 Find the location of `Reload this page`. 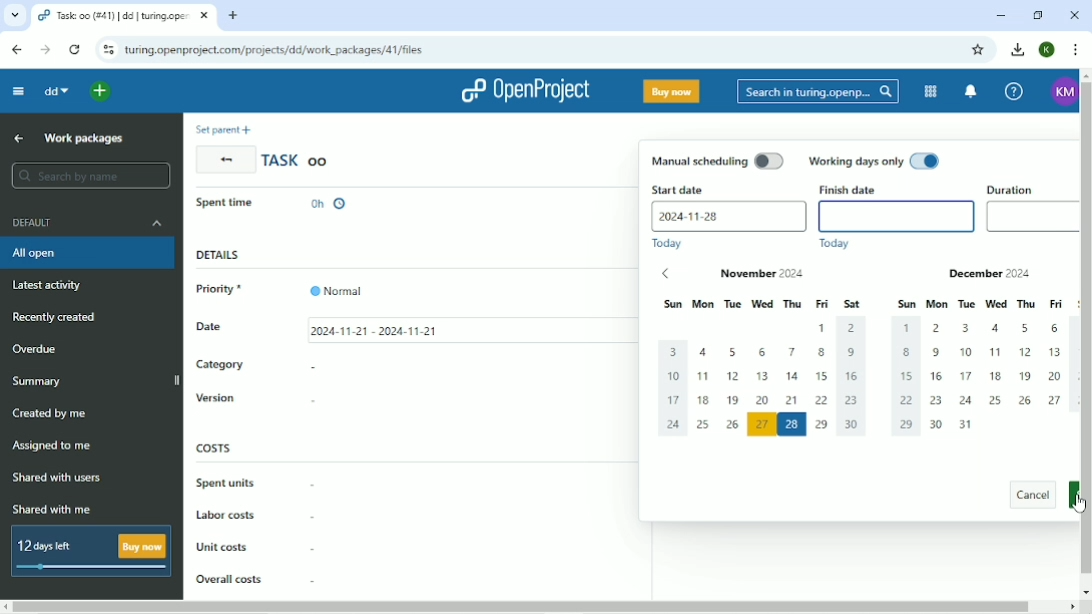

Reload this page is located at coordinates (74, 50).